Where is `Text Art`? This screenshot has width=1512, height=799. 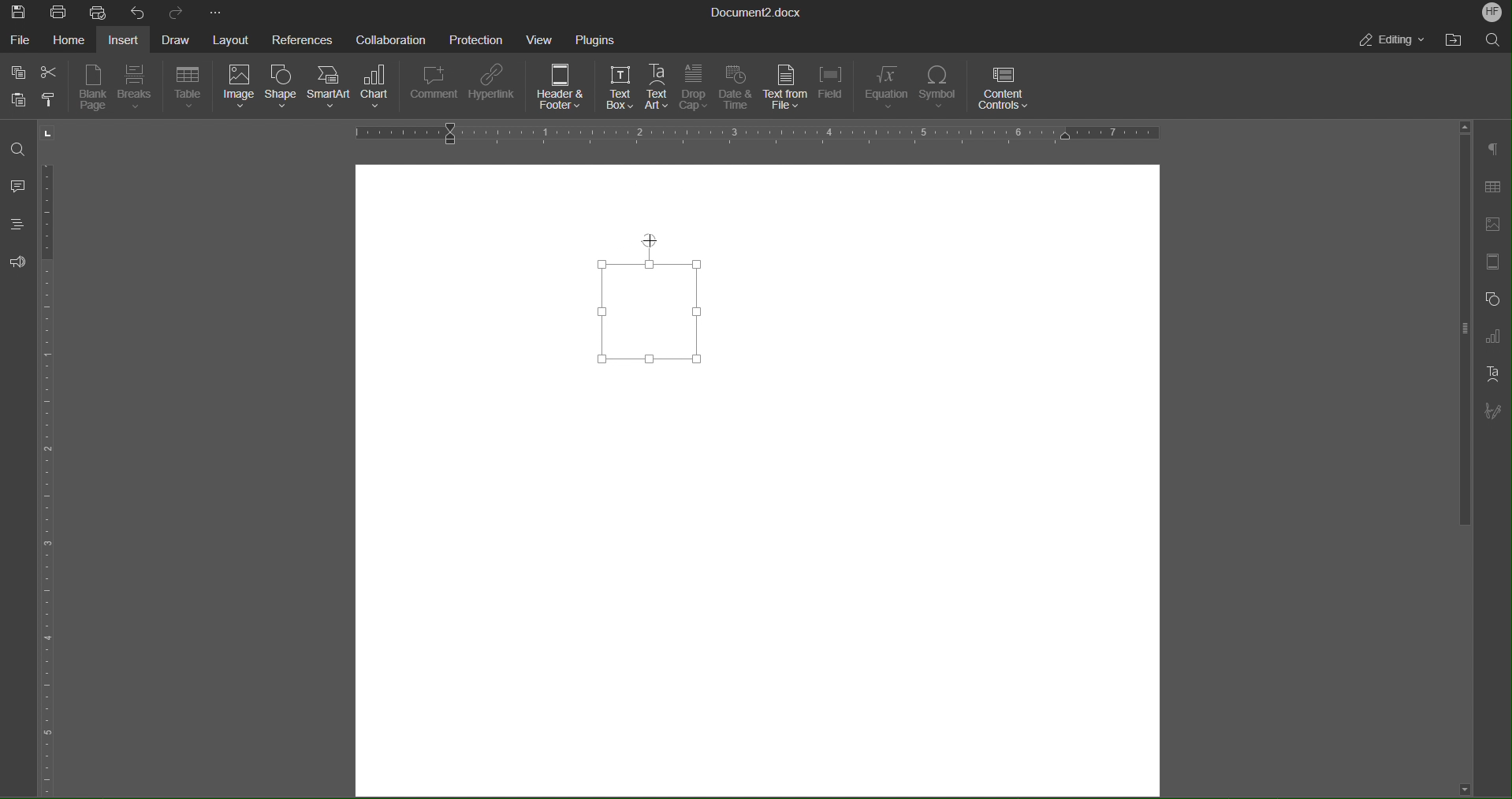
Text Art is located at coordinates (659, 87).